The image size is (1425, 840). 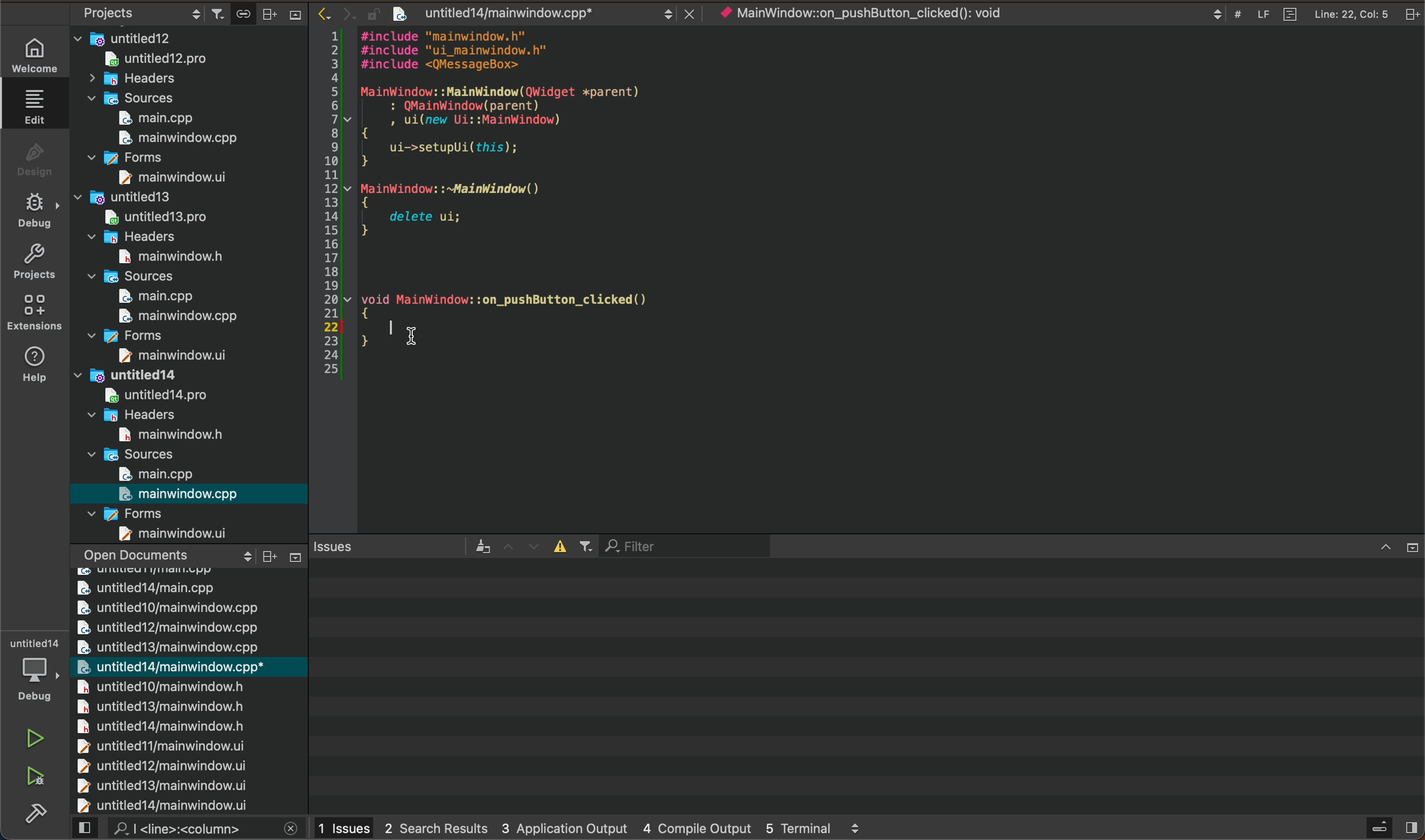 What do you see at coordinates (188, 691) in the screenshot?
I see `chaged files` at bounding box center [188, 691].